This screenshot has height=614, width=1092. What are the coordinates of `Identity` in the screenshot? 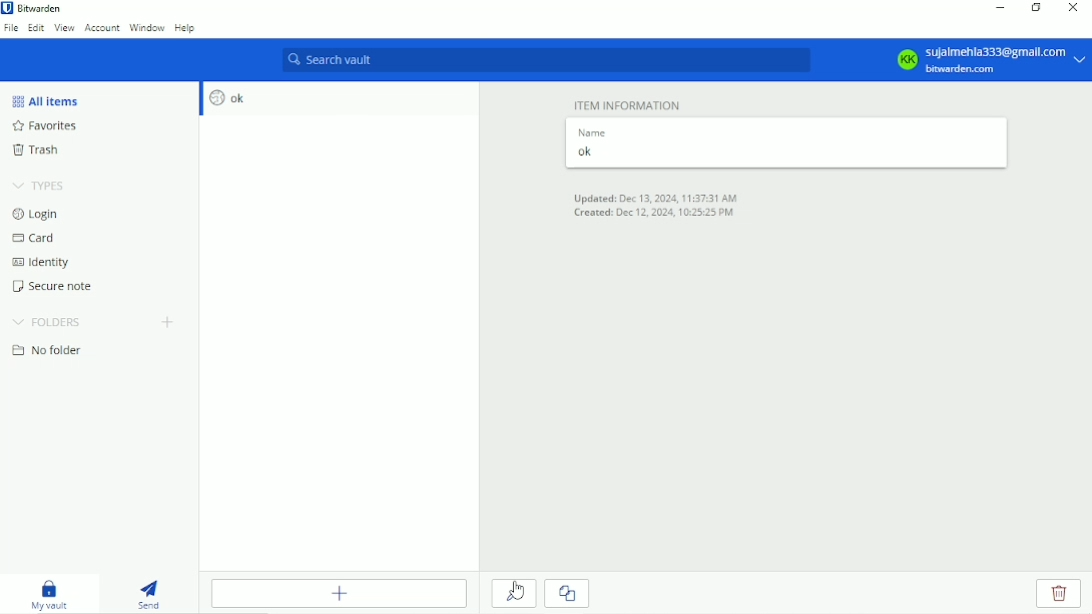 It's located at (44, 263).